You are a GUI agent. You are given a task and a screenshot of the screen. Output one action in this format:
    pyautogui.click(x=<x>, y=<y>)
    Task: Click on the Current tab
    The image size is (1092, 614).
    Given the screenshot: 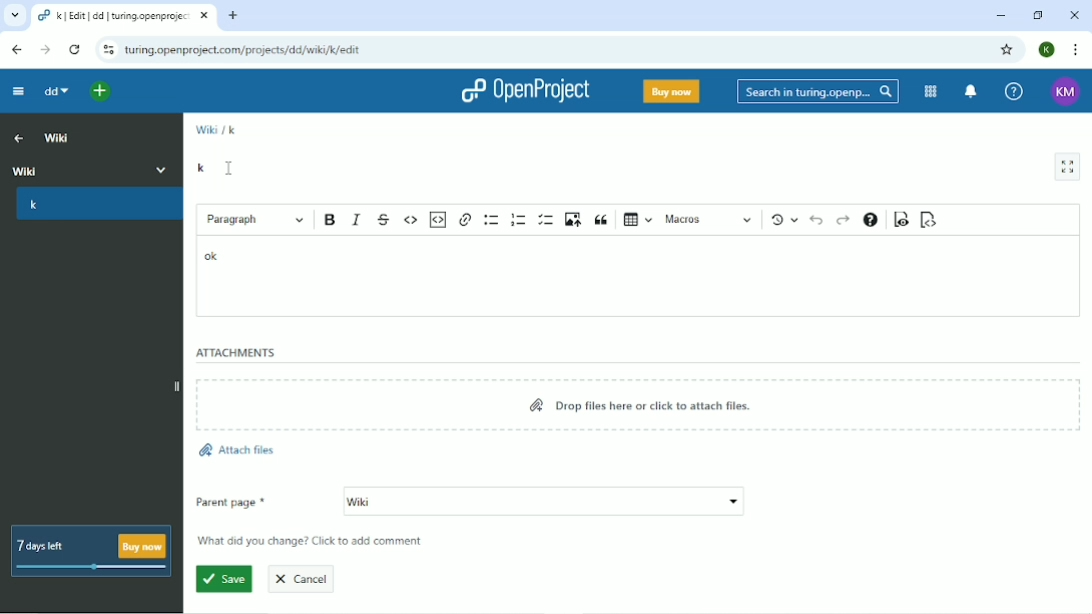 What is the action you would take?
    pyautogui.click(x=122, y=18)
    